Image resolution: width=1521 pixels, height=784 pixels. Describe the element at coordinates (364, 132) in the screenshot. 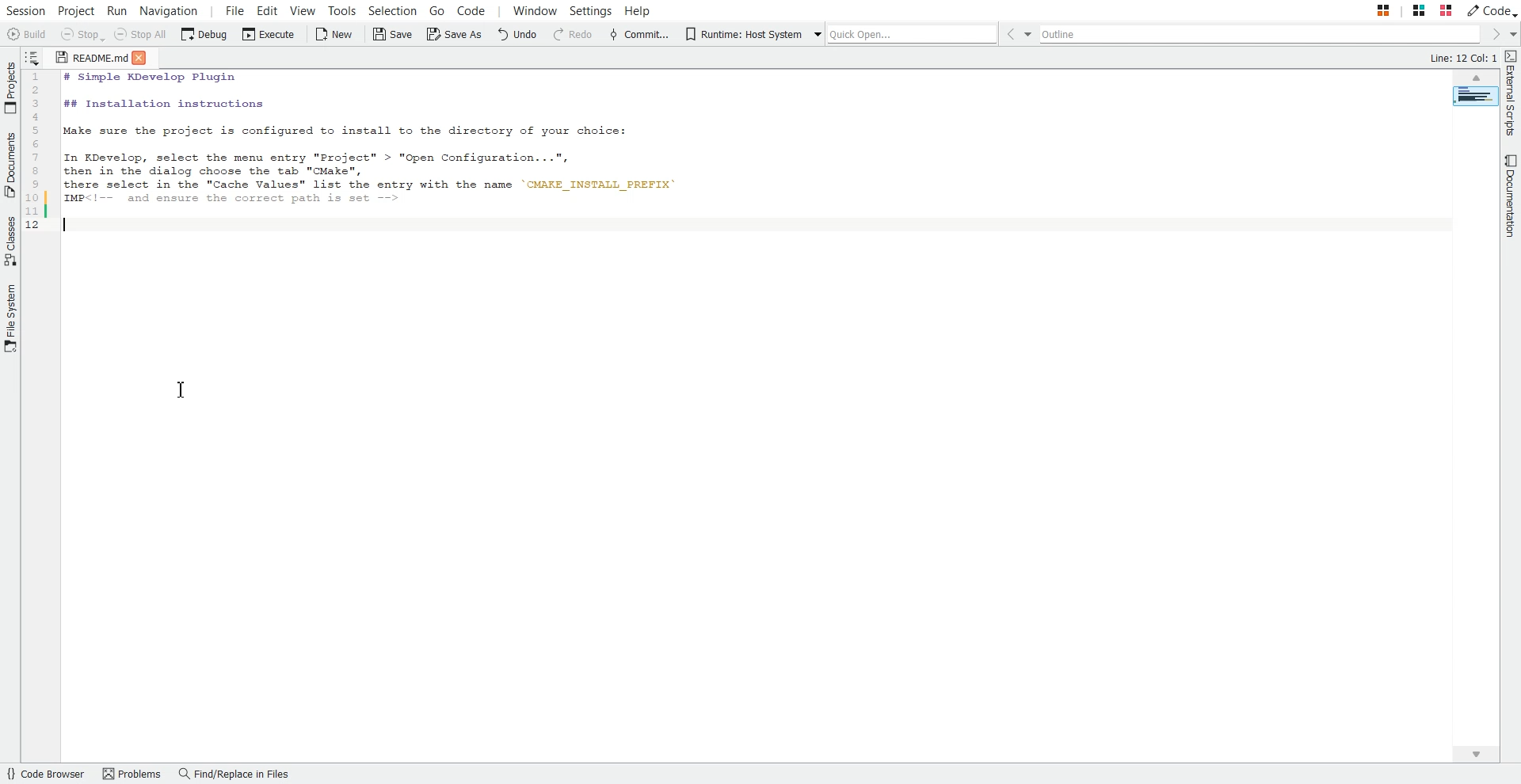

I see `Make sure the project is configured to install to the directory of your choice:` at that location.